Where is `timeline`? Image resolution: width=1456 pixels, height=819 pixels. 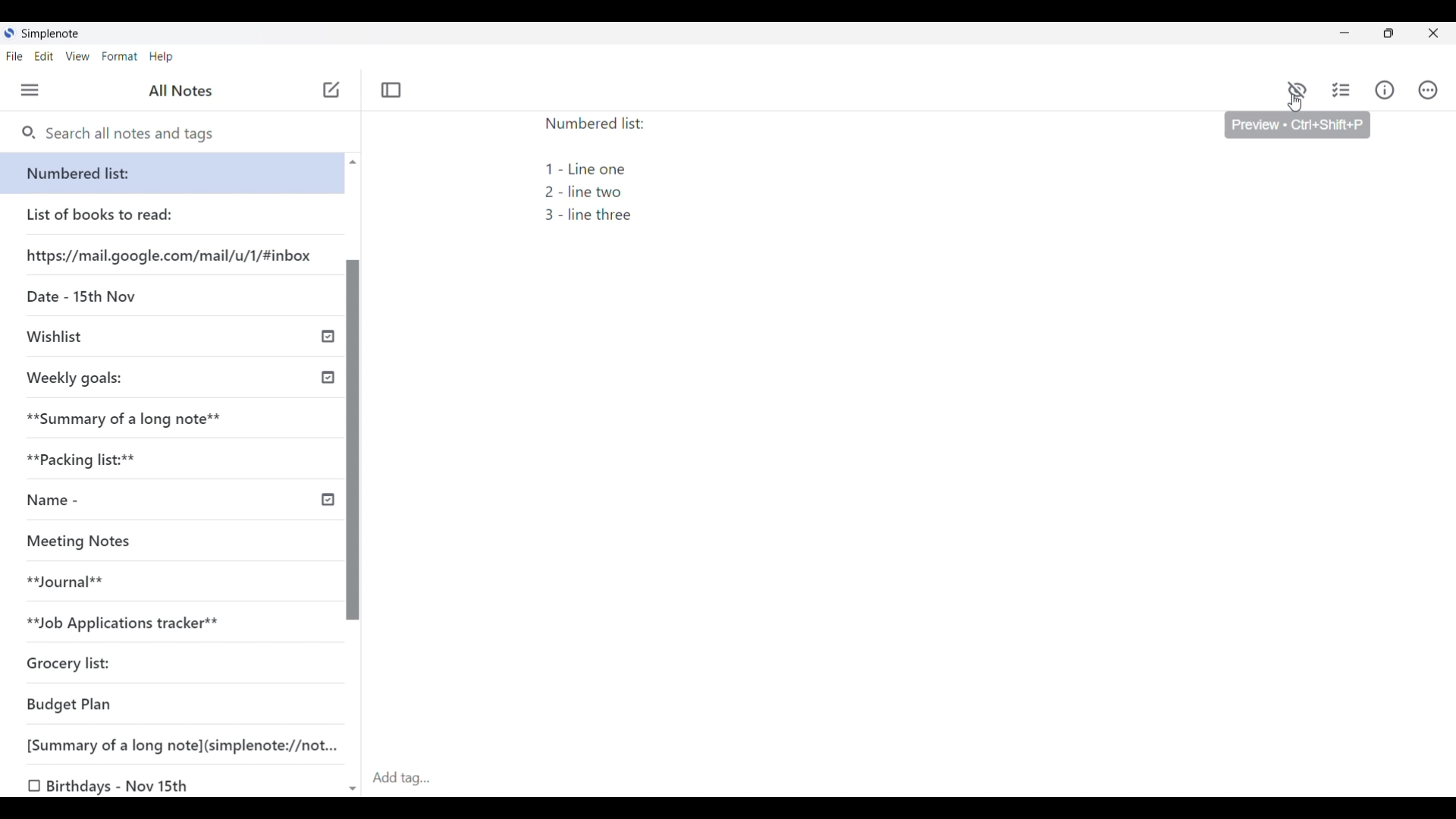
timeline is located at coordinates (327, 376).